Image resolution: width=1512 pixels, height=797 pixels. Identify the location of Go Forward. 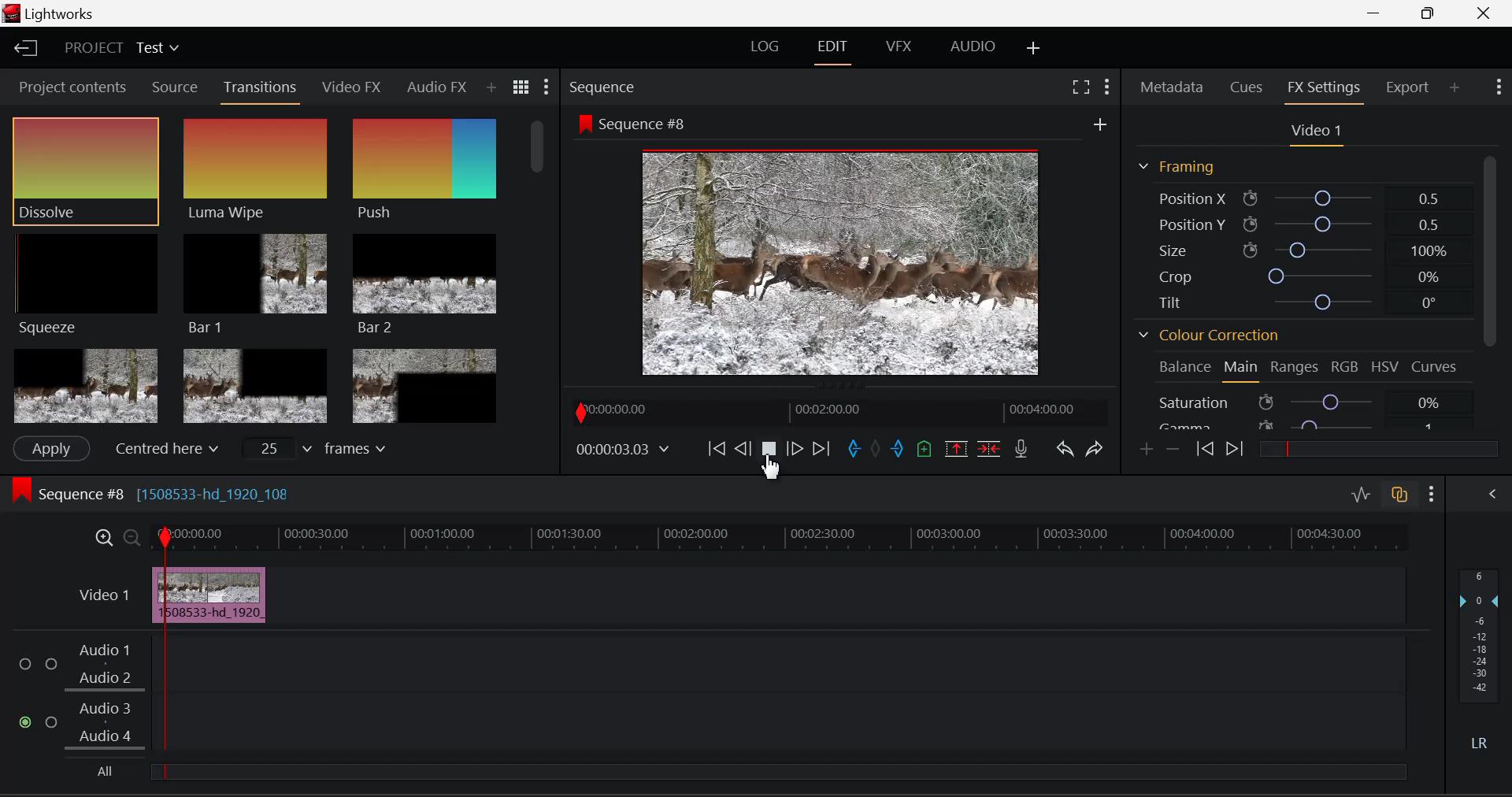
(794, 450).